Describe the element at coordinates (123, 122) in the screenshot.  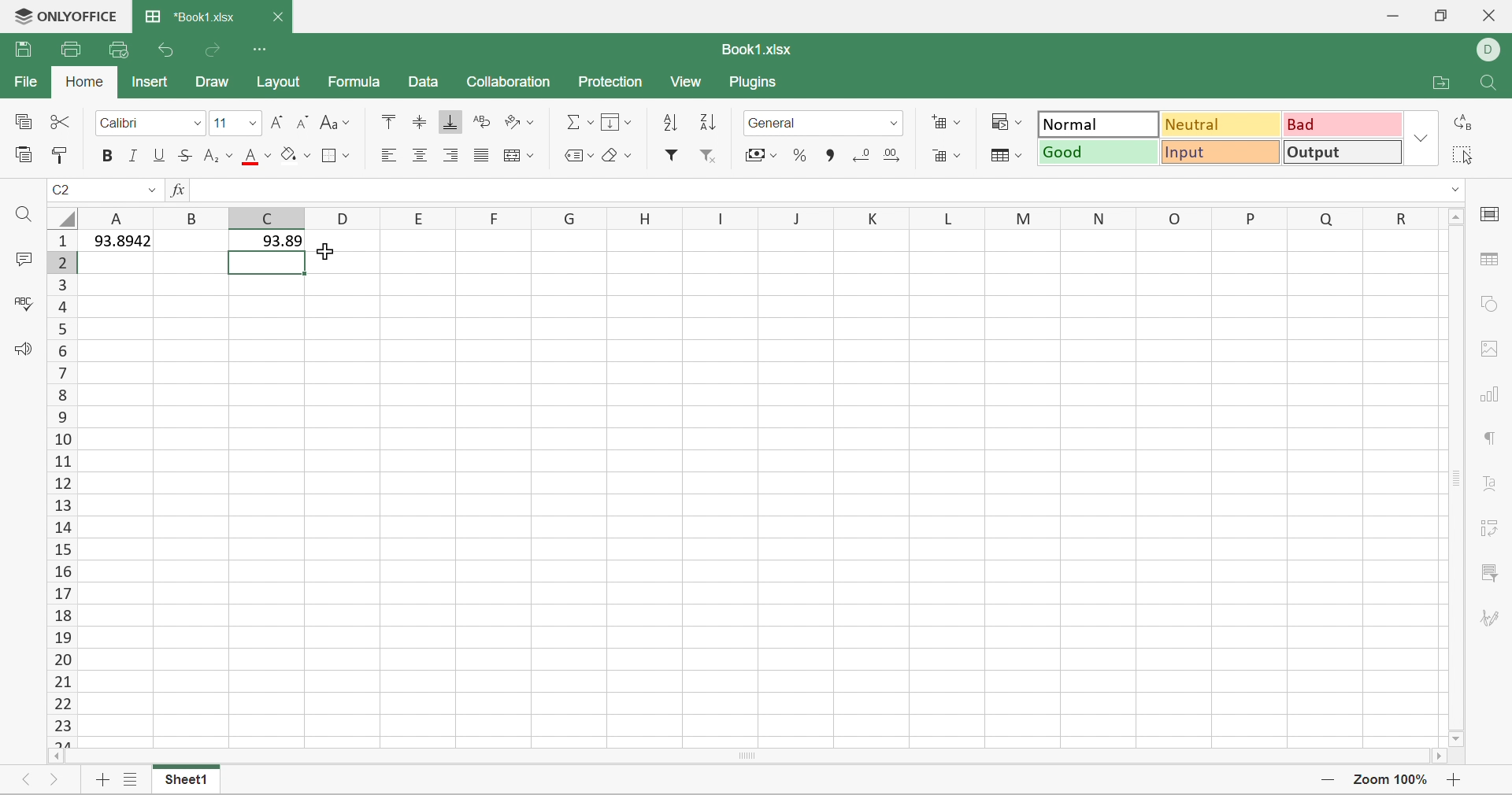
I see `Font` at that location.